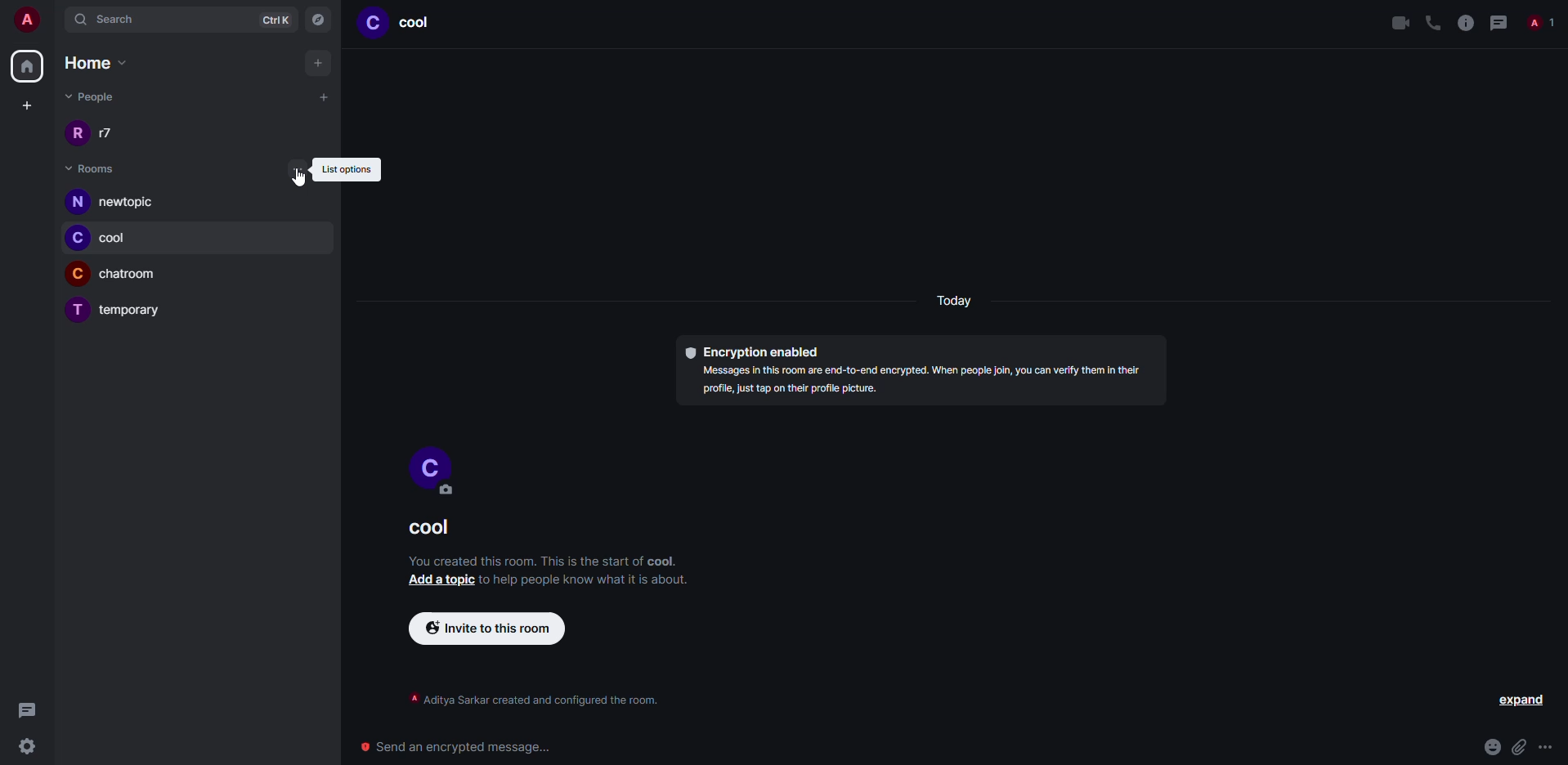  What do you see at coordinates (114, 235) in the screenshot?
I see `cool` at bounding box center [114, 235].